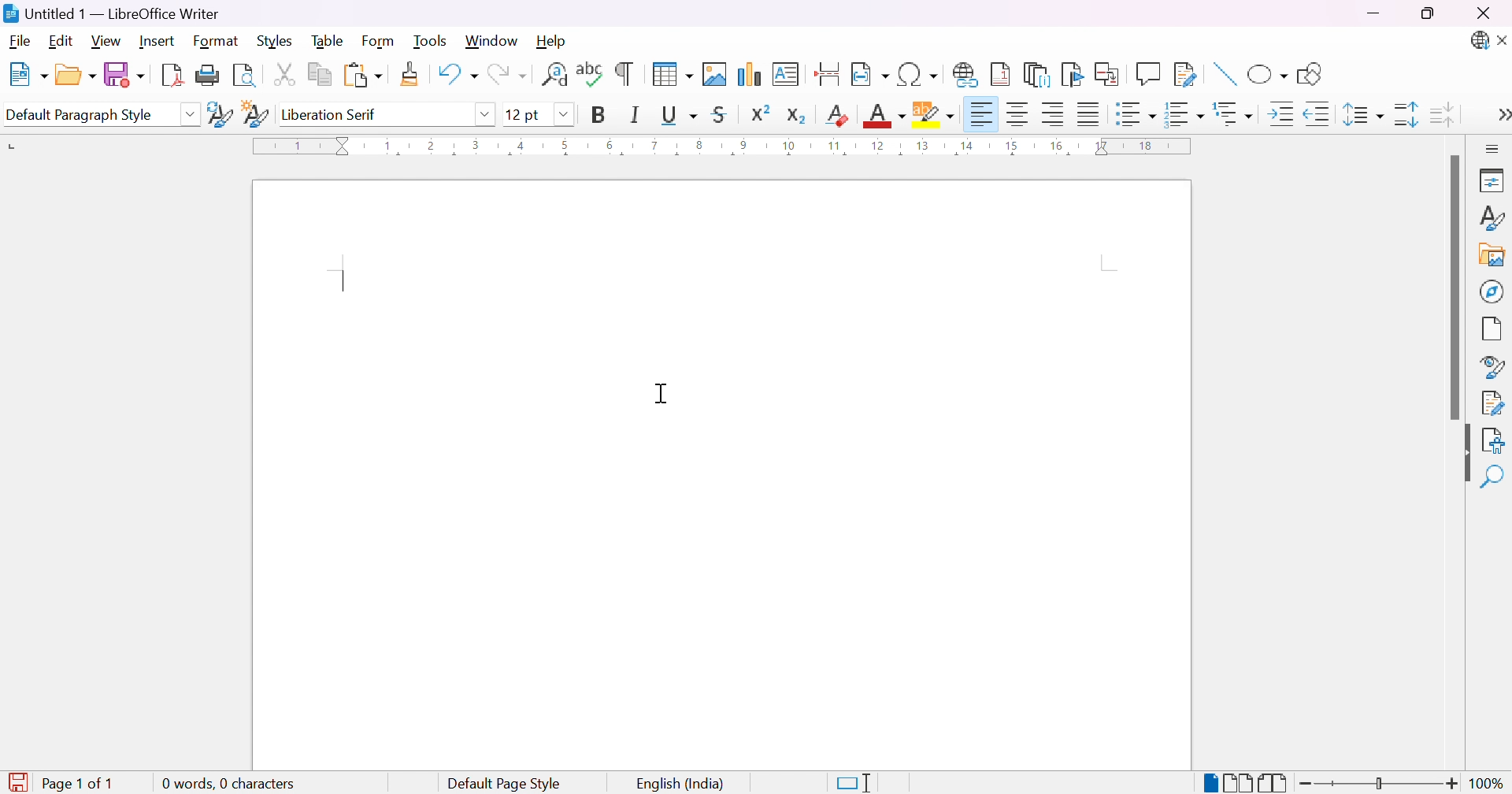  What do you see at coordinates (887, 116) in the screenshot?
I see `Font color` at bounding box center [887, 116].